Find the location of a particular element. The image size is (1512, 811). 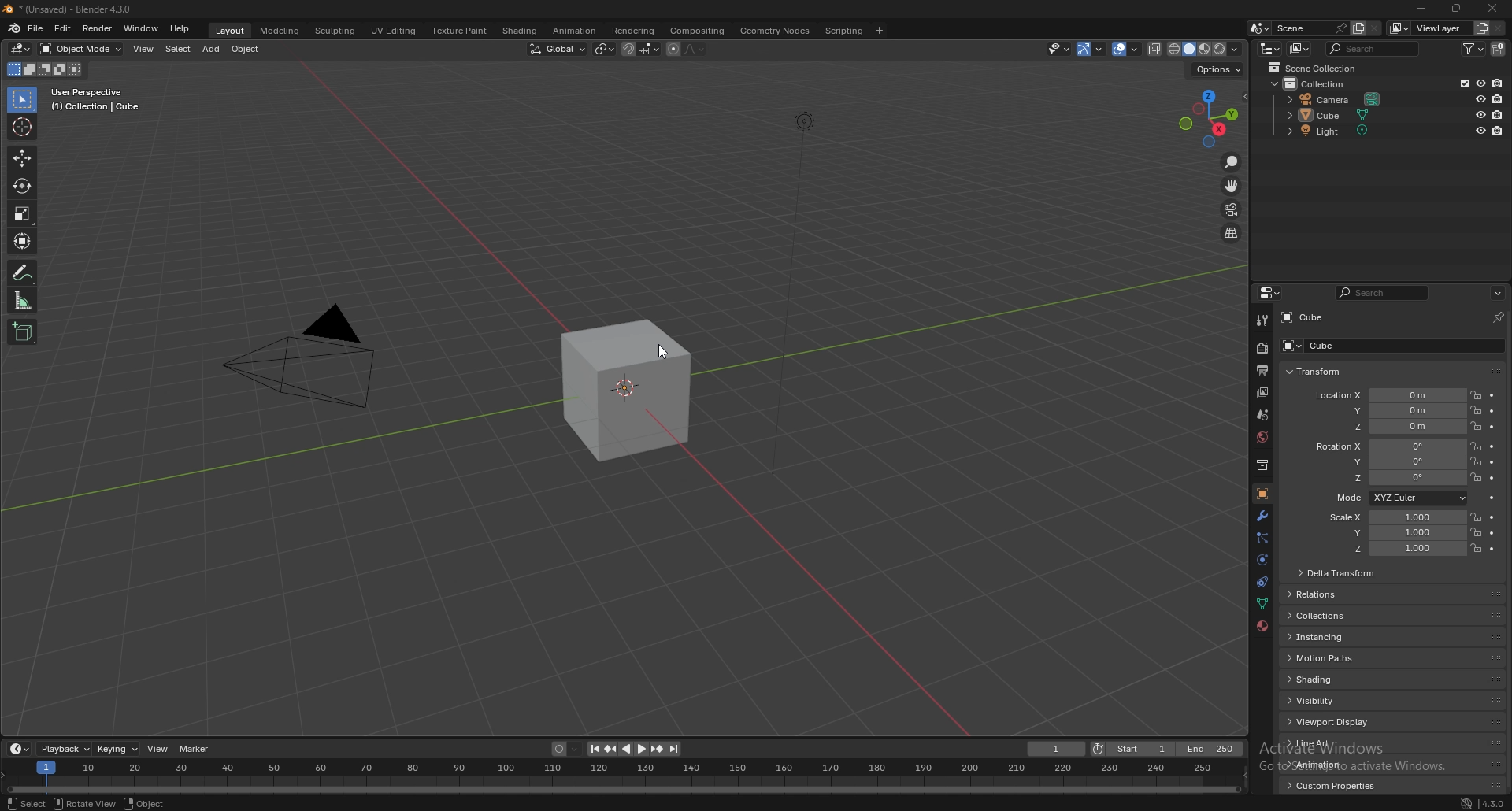

browse scene is located at coordinates (1258, 28).